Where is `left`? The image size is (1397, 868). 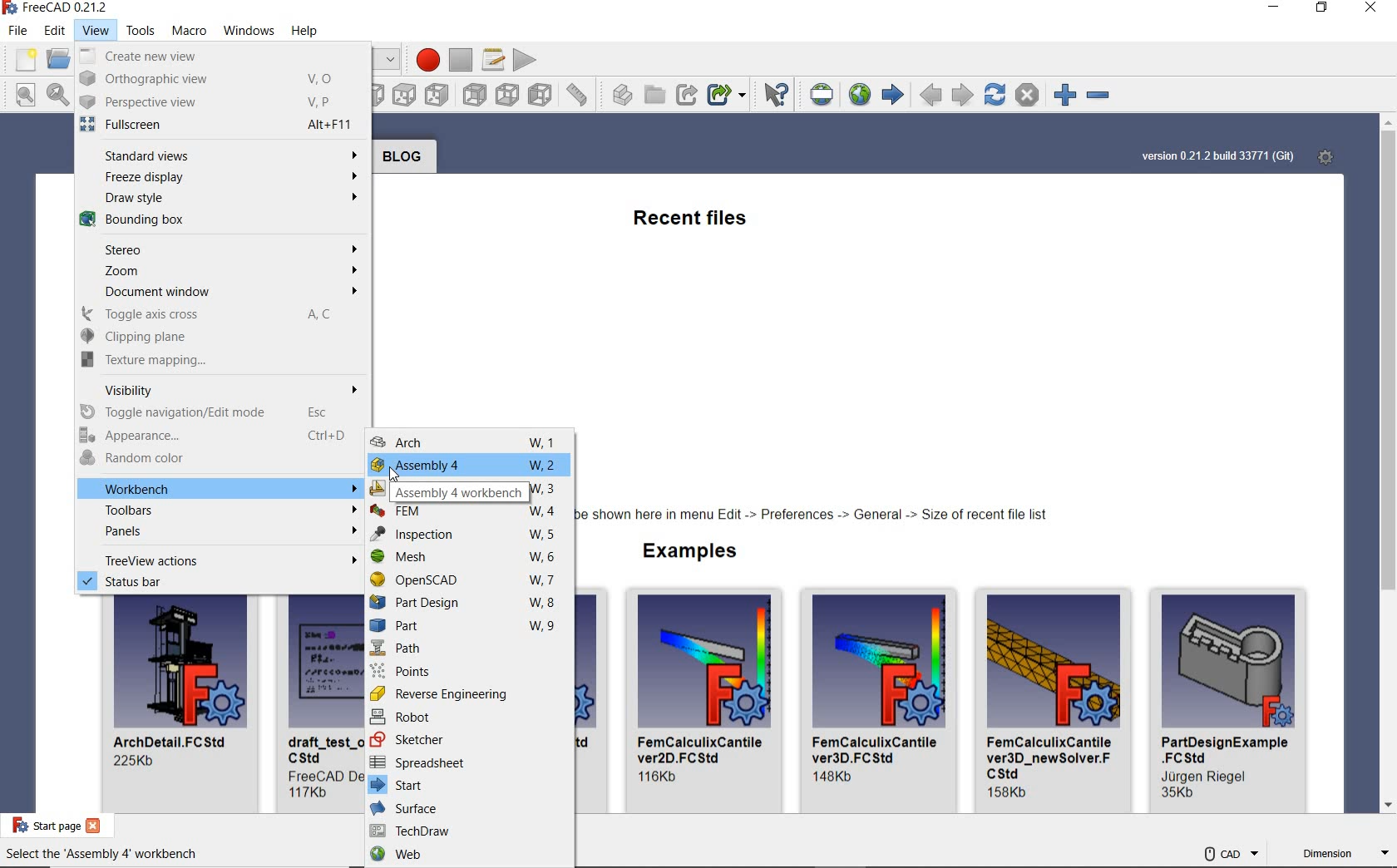 left is located at coordinates (541, 95).